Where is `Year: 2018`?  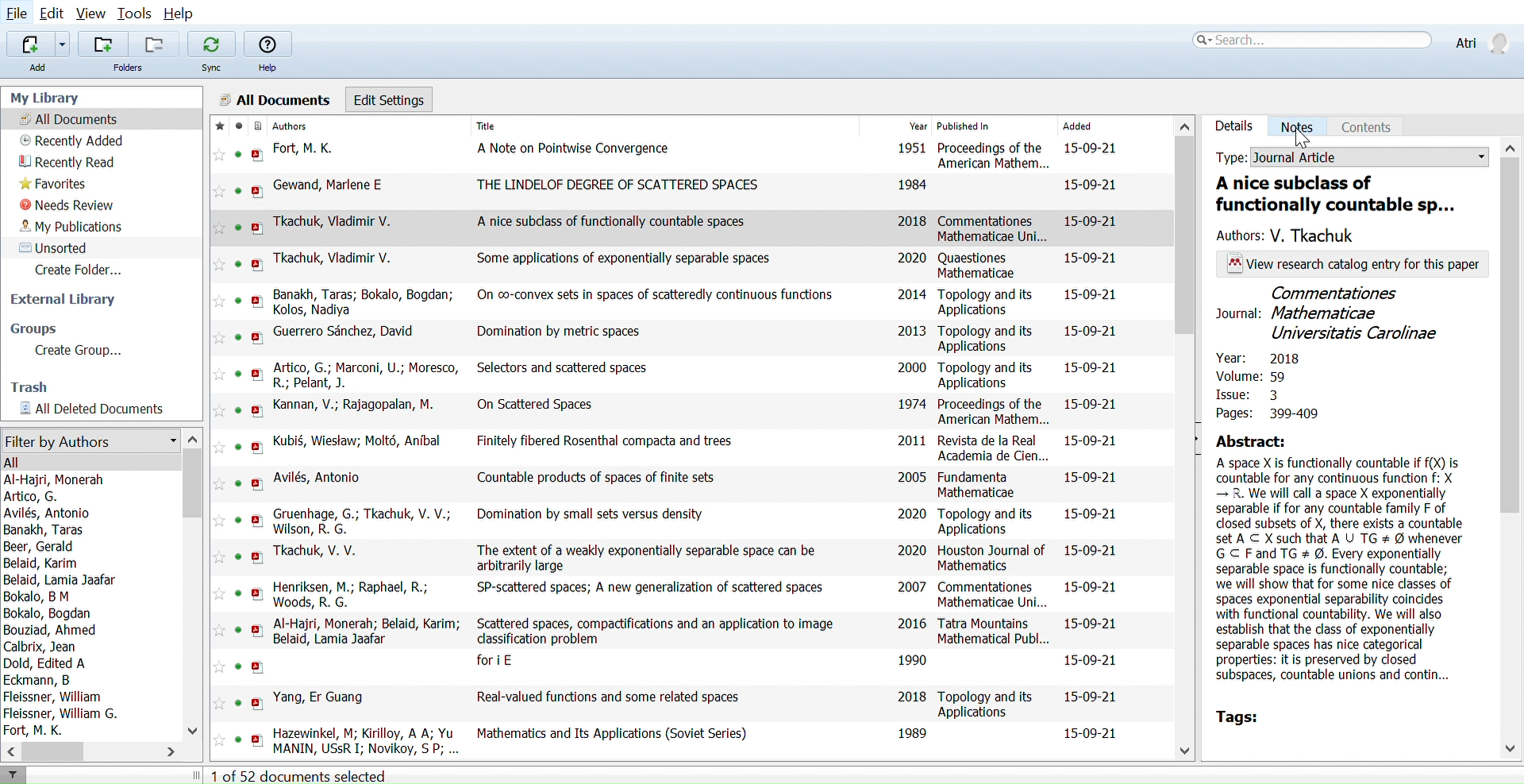 Year: 2018 is located at coordinates (1257, 358).